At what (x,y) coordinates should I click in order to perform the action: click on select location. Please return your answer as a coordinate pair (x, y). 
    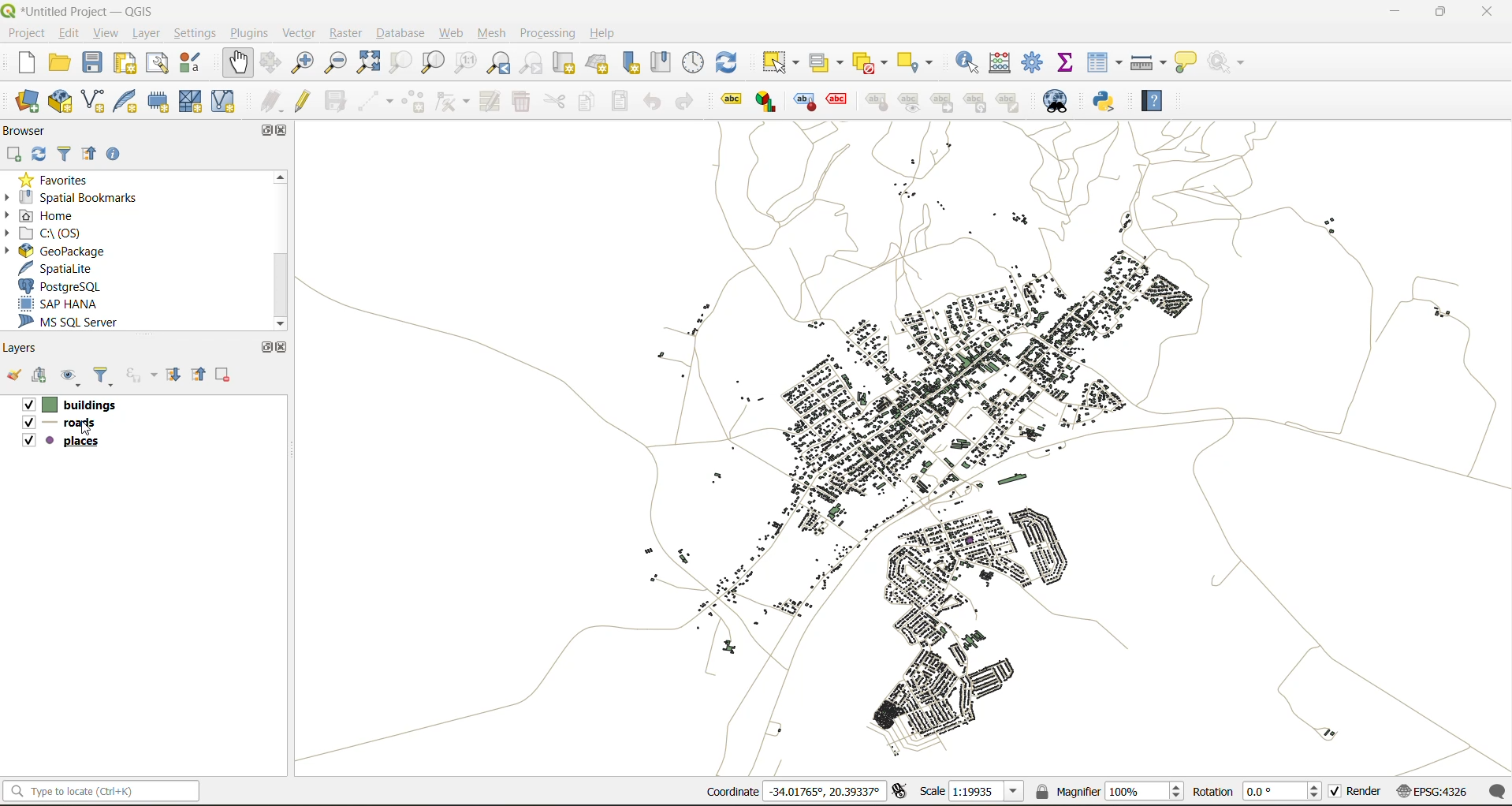
    Looking at the image, I should click on (914, 63).